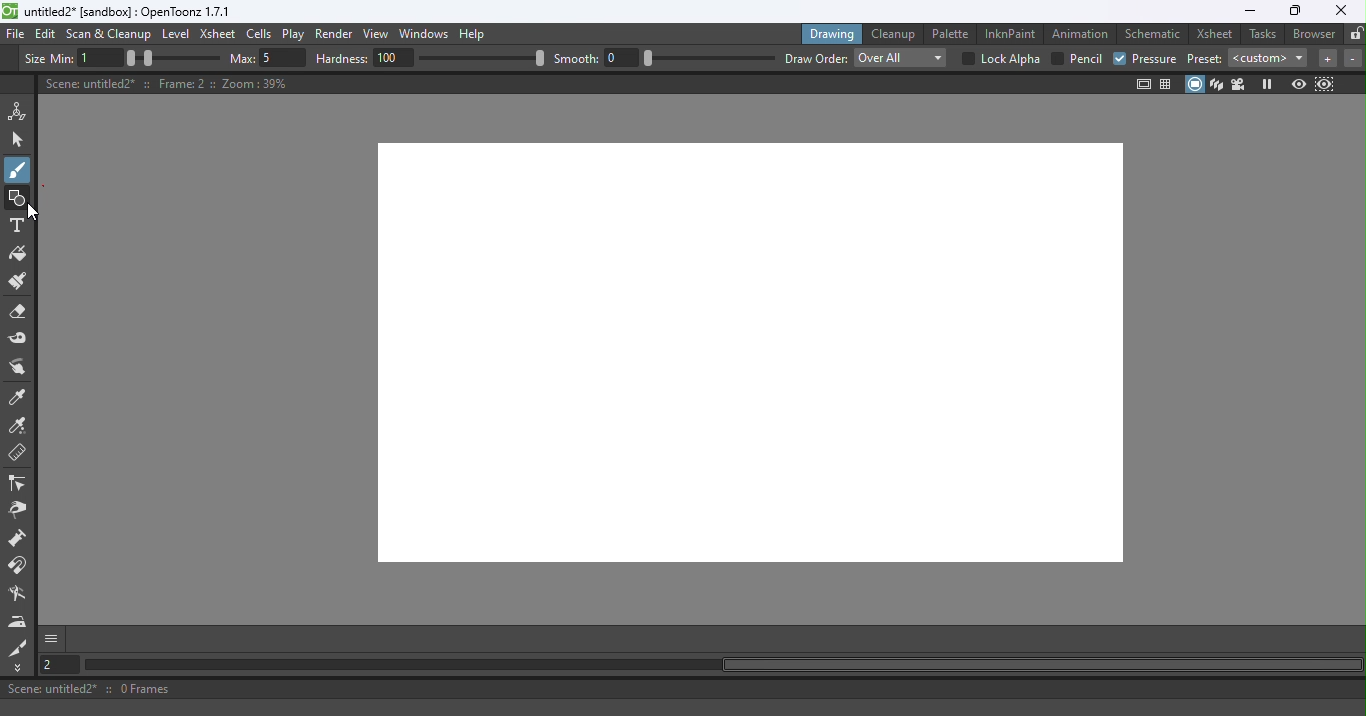 Image resolution: width=1366 pixels, height=716 pixels. What do you see at coordinates (21, 139) in the screenshot?
I see `Selection tool` at bounding box center [21, 139].